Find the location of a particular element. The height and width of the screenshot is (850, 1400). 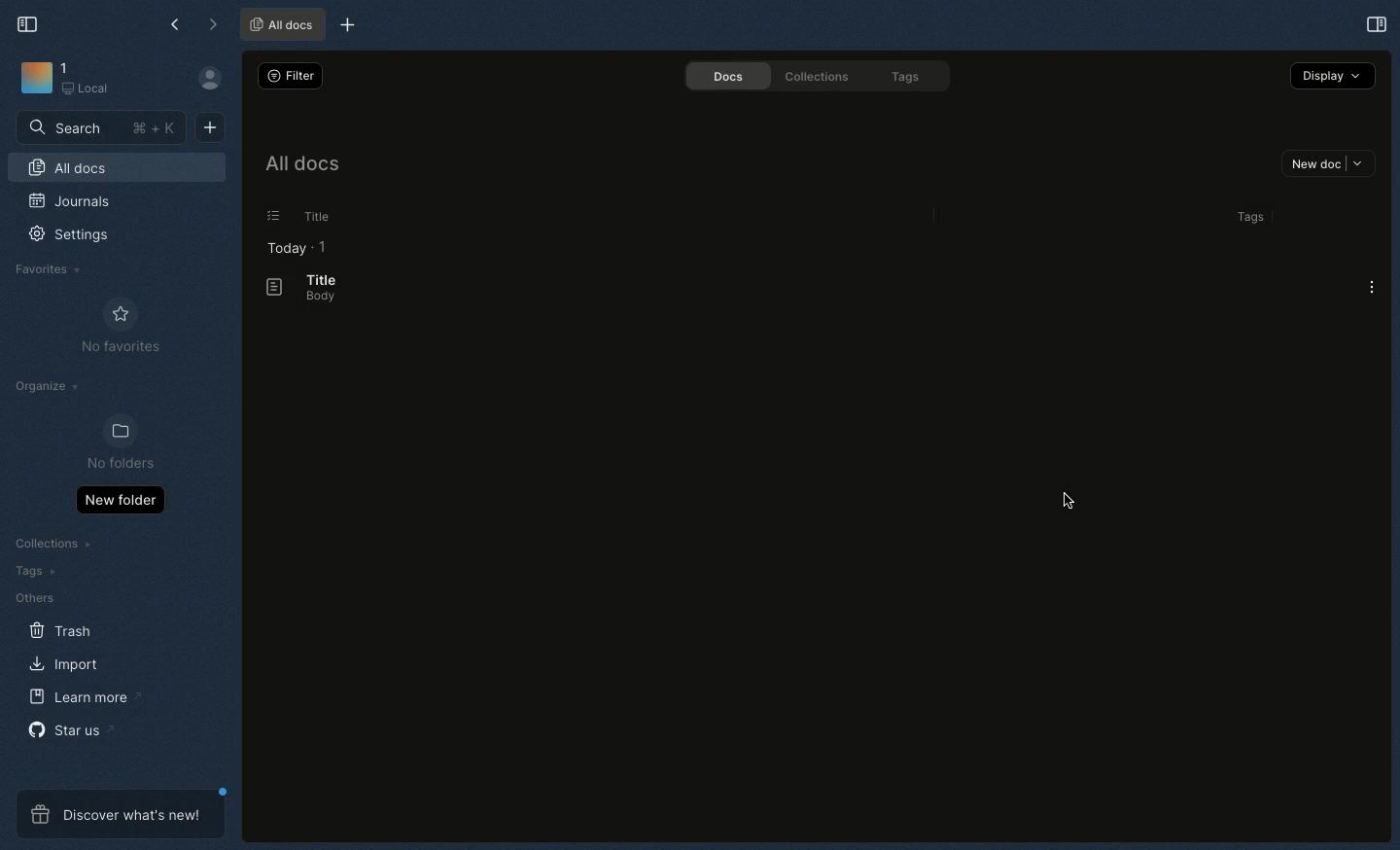

Others is located at coordinates (34, 598).